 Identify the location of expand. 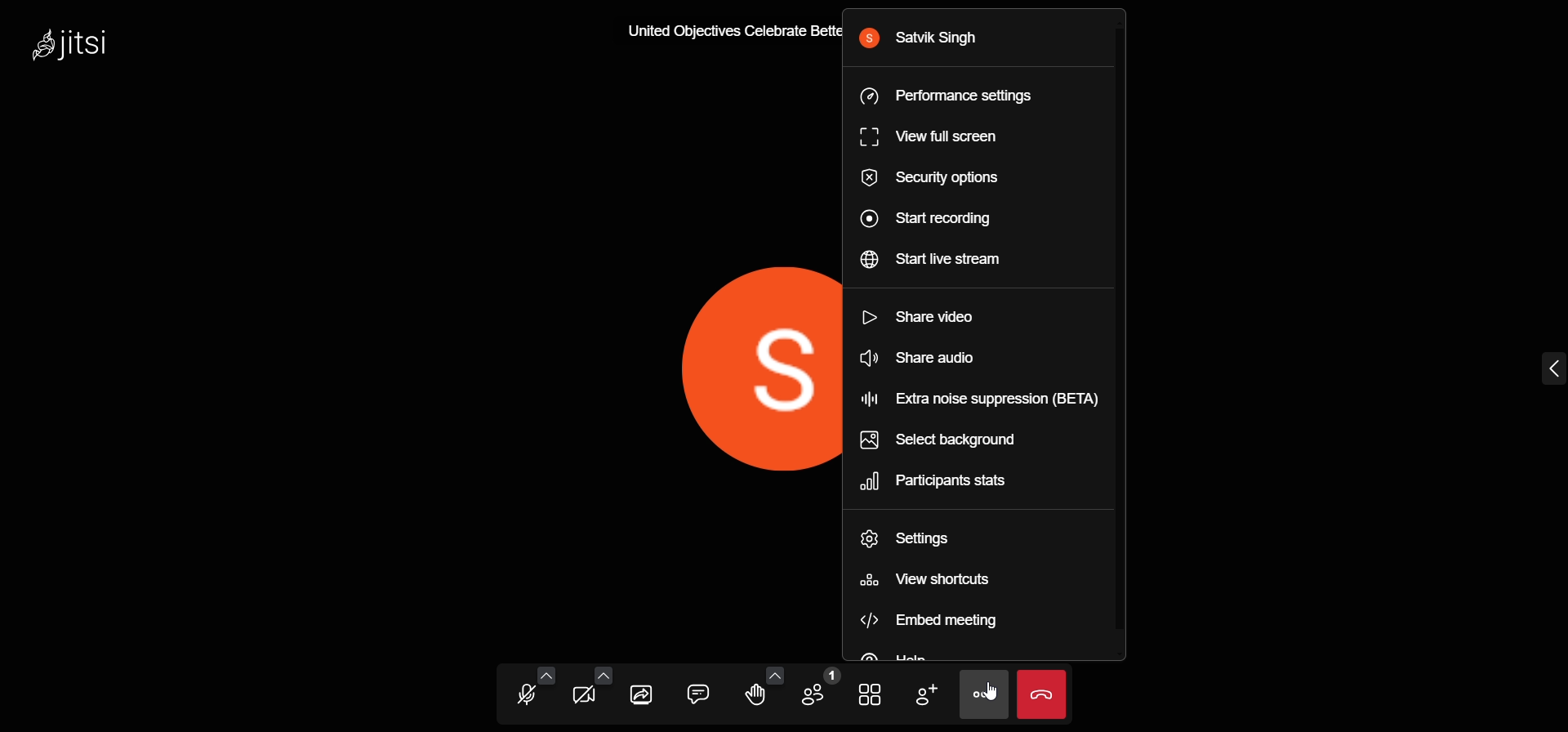
(1548, 368).